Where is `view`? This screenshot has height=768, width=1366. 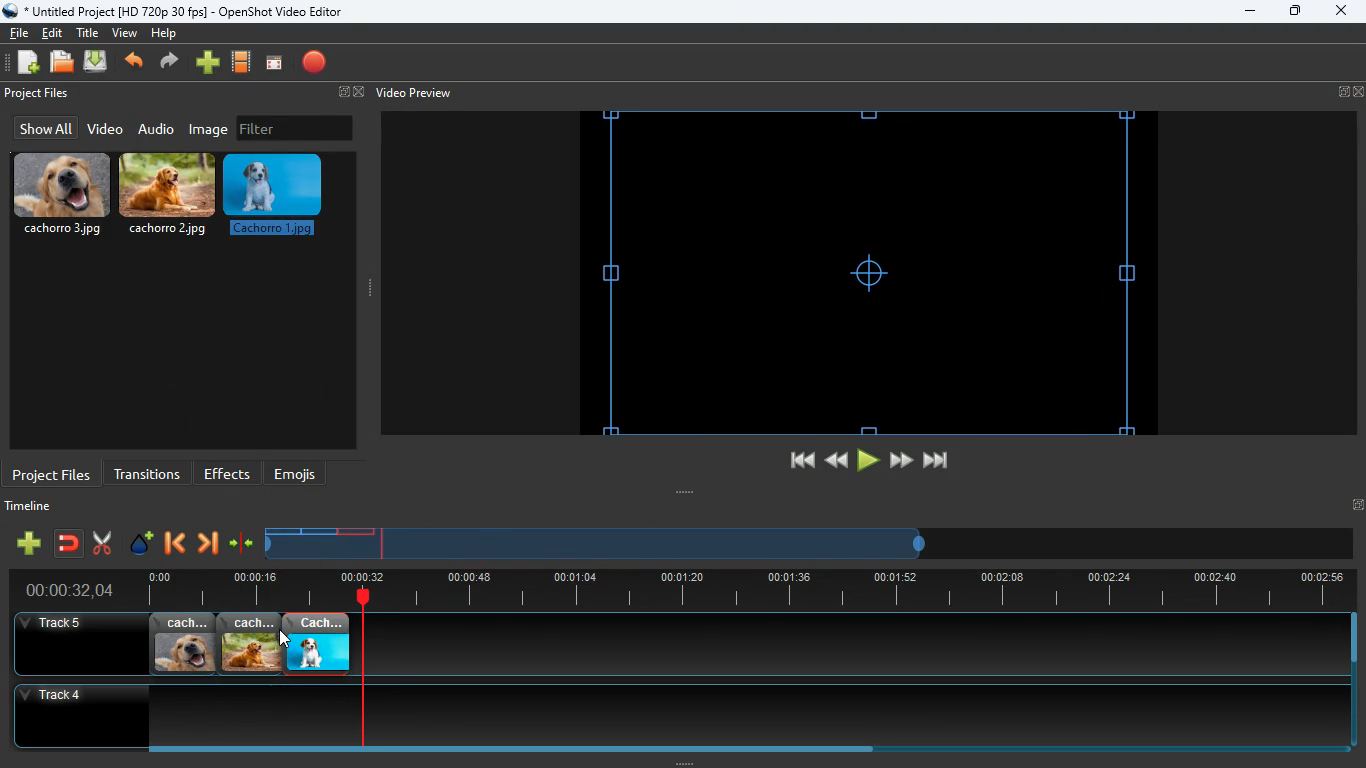 view is located at coordinates (126, 33).